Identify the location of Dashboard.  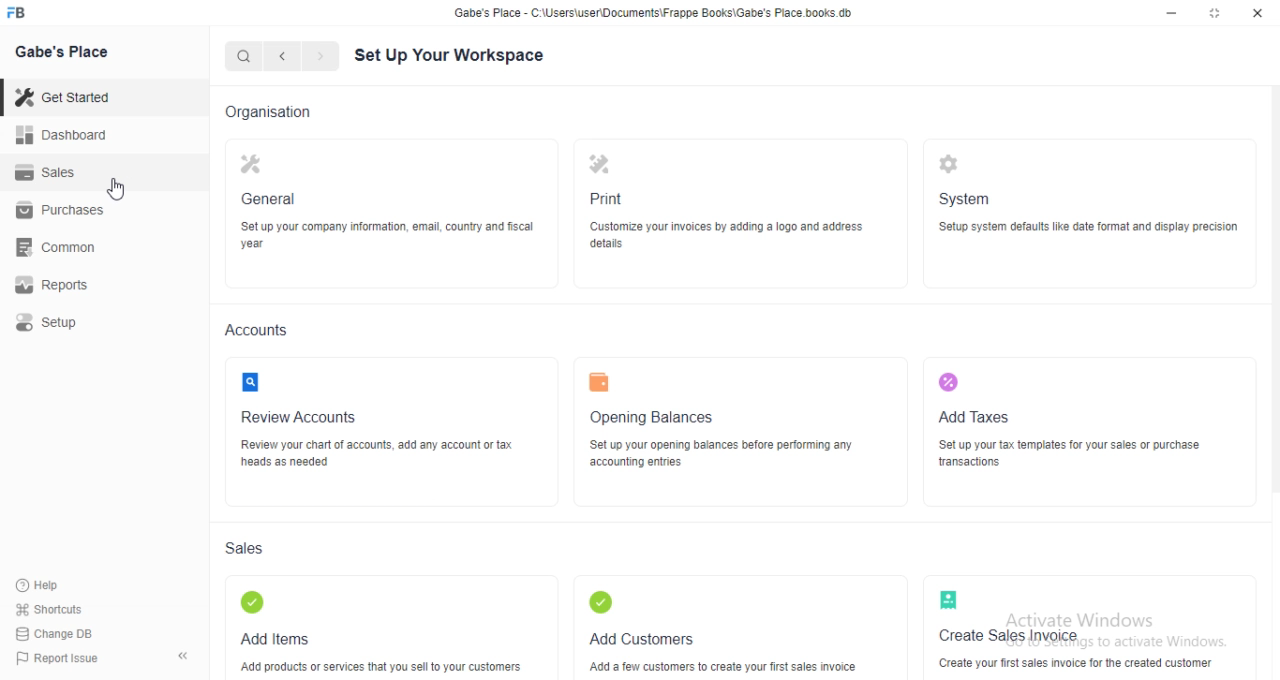
(61, 135).